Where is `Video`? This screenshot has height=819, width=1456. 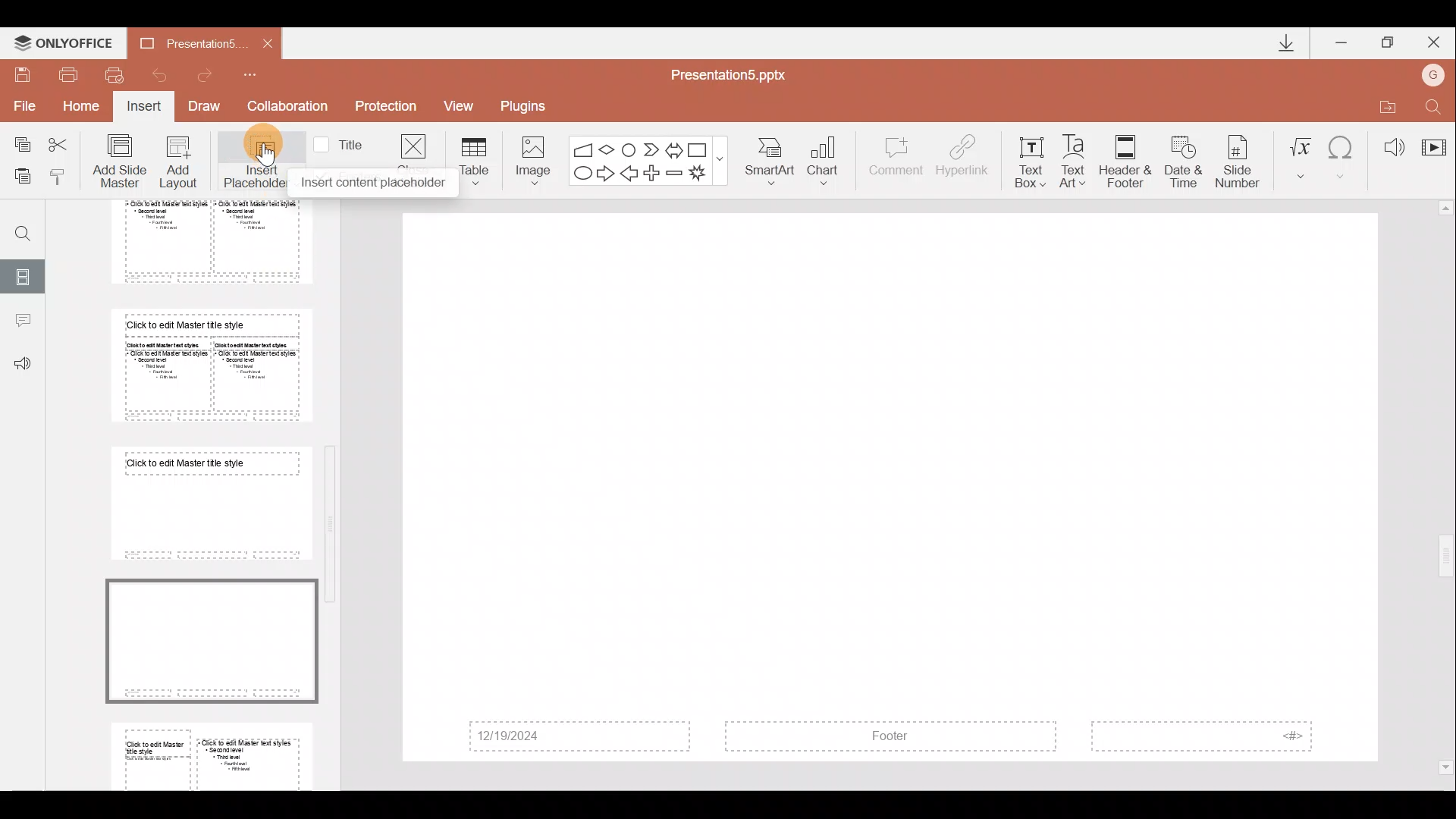
Video is located at coordinates (1433, 140).